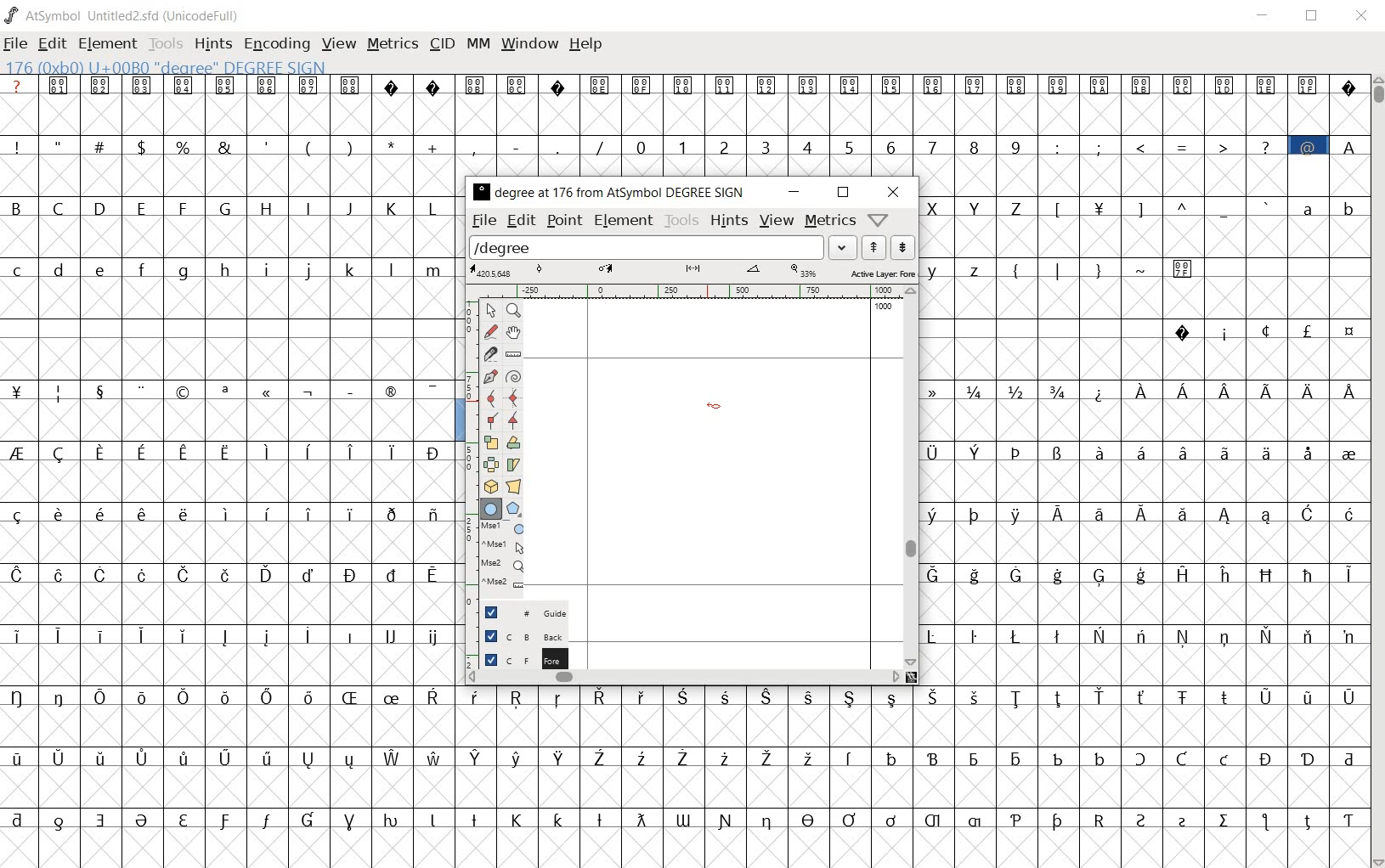 The width and height of the screenshot is (1385, 868). Describe the element at coordinates (692, 271) in the screenshot. I see `active layer: foreground` at that location.